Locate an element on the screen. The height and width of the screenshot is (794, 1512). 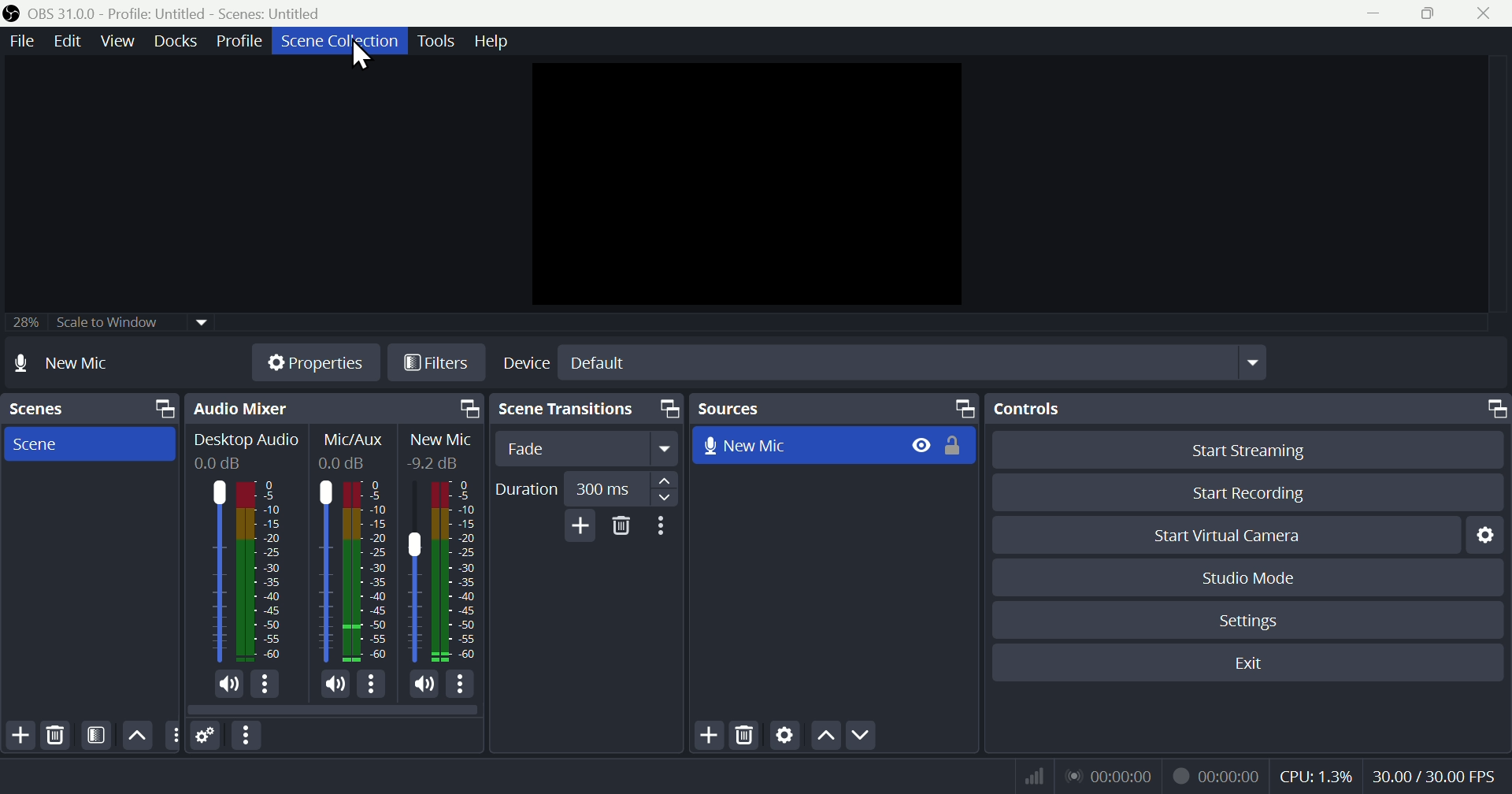
minimise is located at coordinates (1384, 15).